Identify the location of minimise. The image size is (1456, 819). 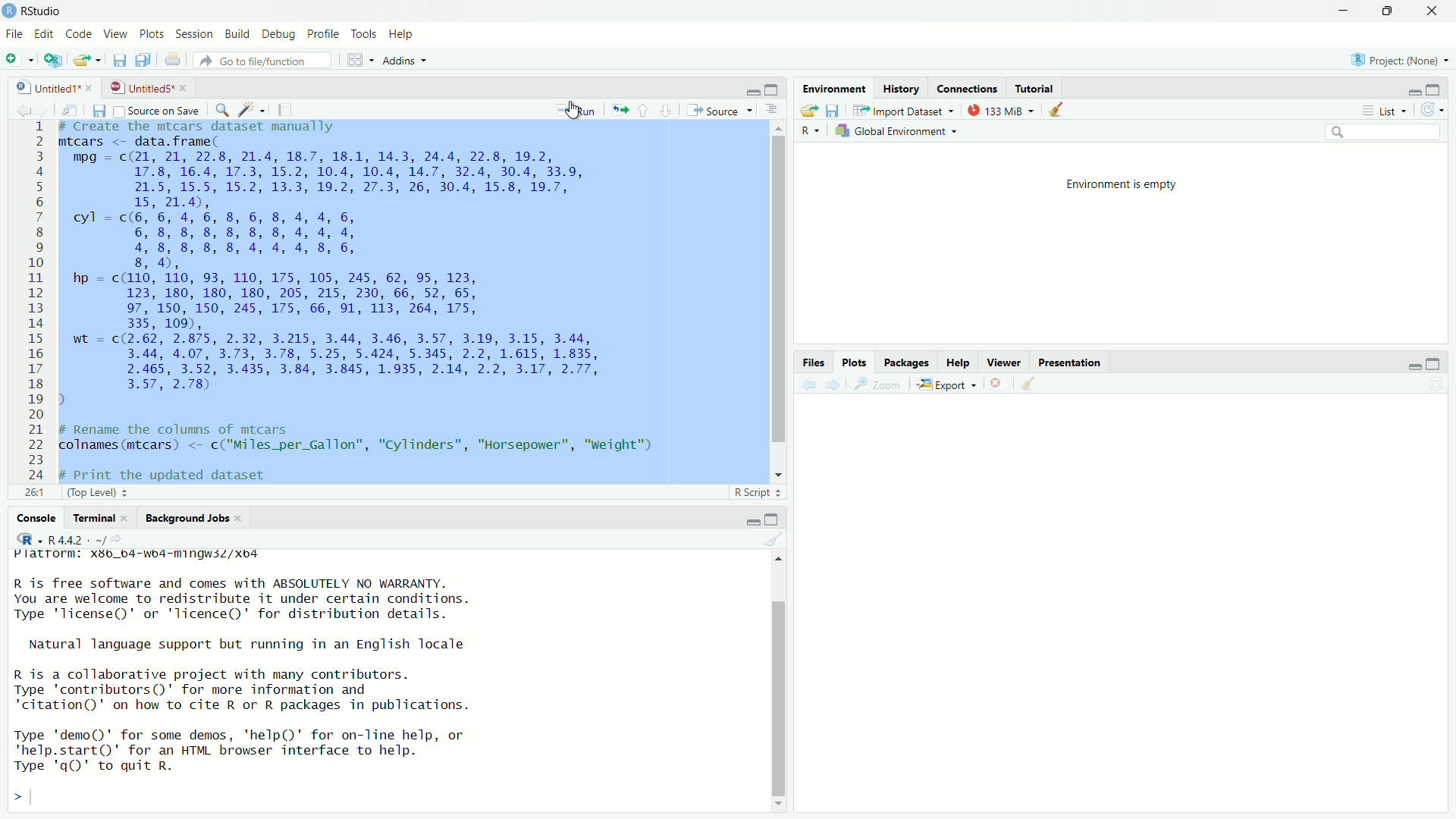
(748, 519).